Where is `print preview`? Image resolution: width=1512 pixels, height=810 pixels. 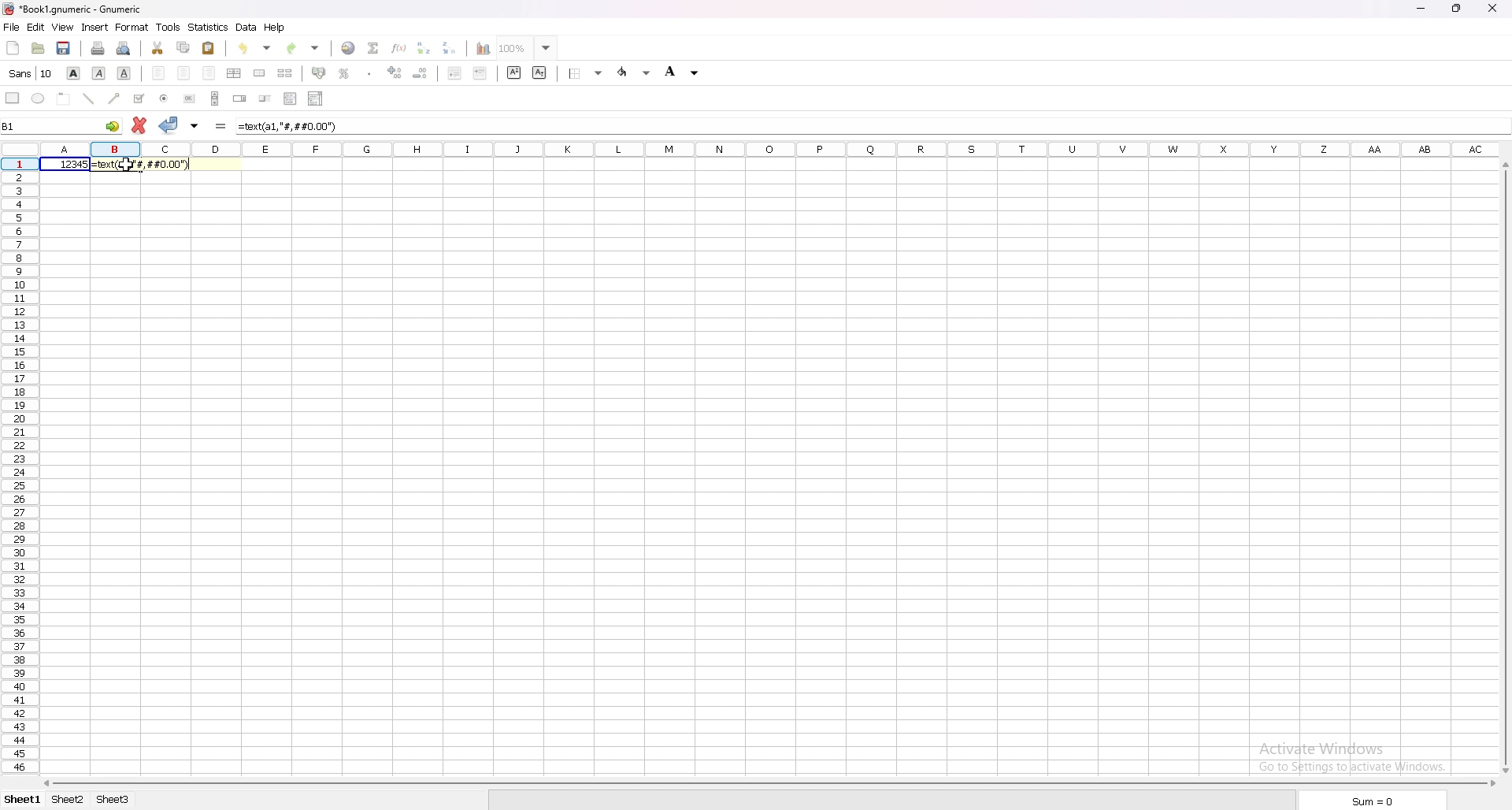 print preview is located at coordinates (124, 48).